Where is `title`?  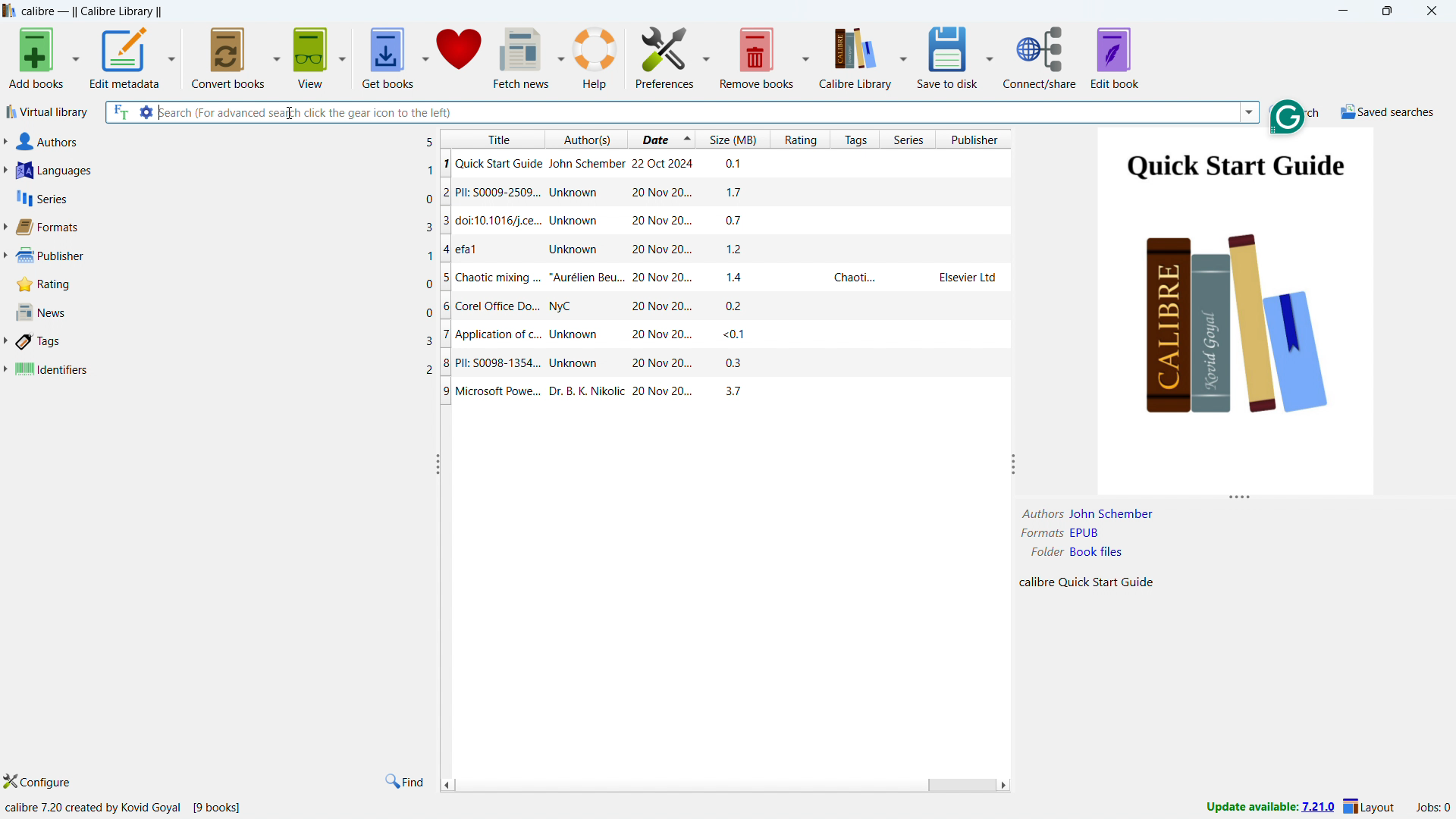
title is located at coordinates (93, 11).